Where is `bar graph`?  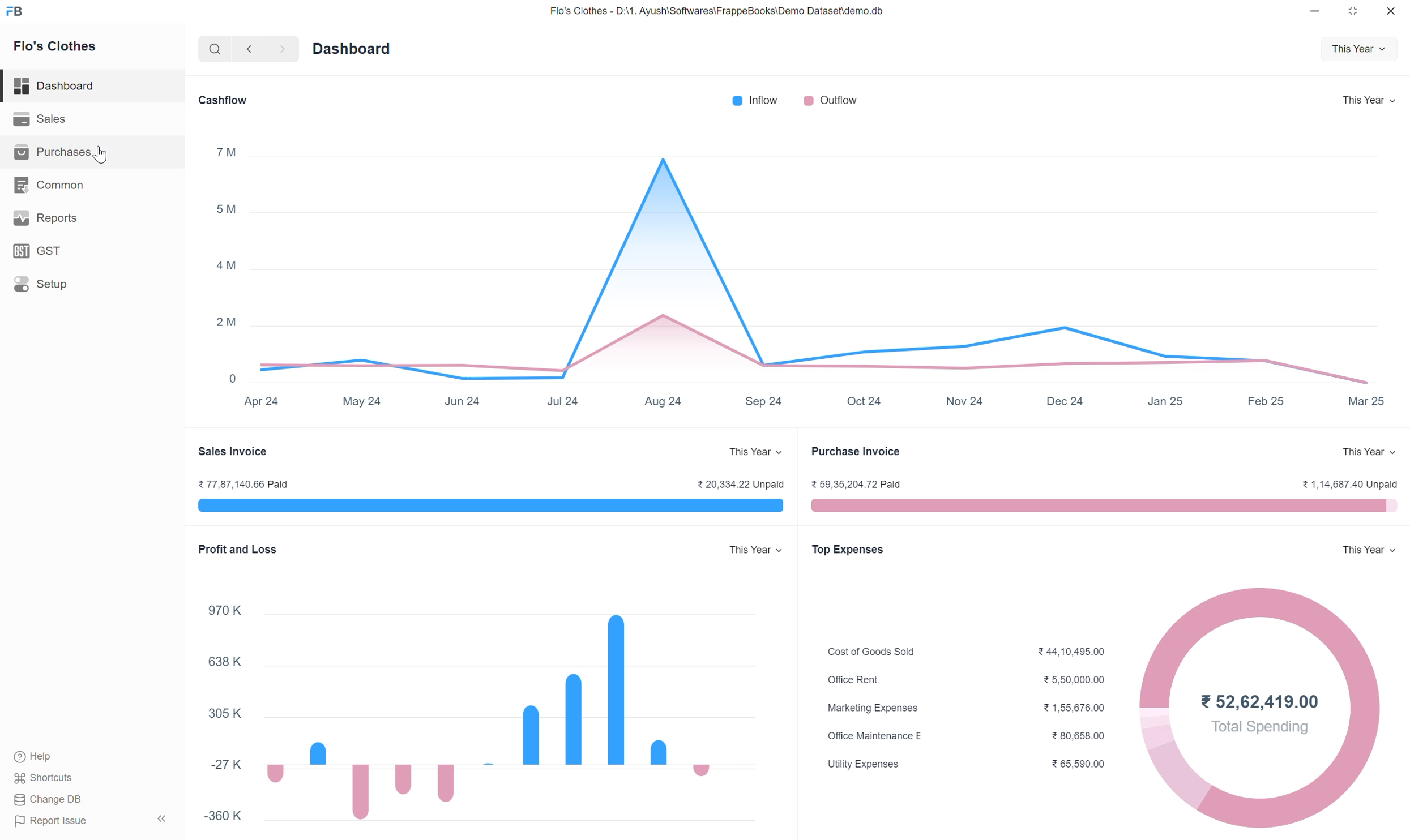
bar graph is located at coordinates (510, 710).